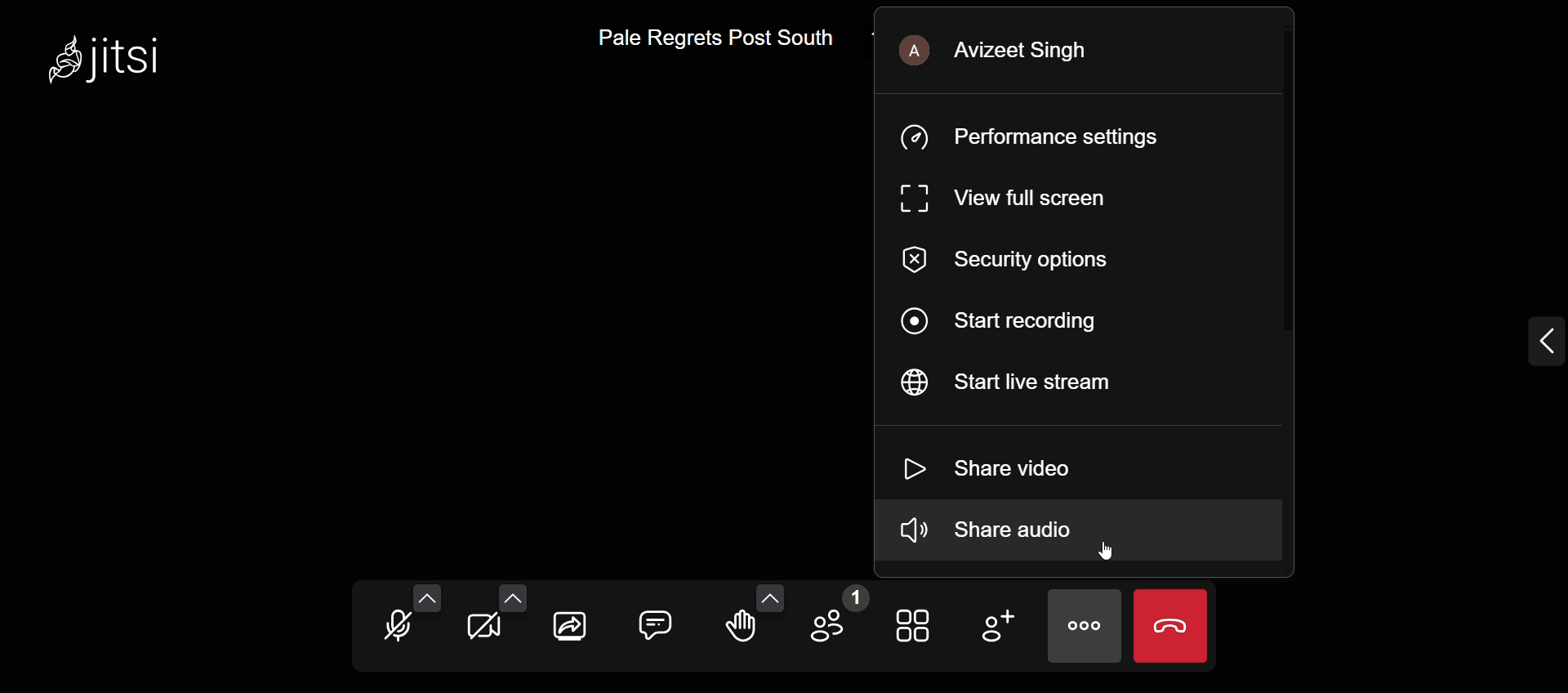 Image resolution: width=1568 pixels, height=693 pixels. I want to click on raise hand, so click(746, 633).